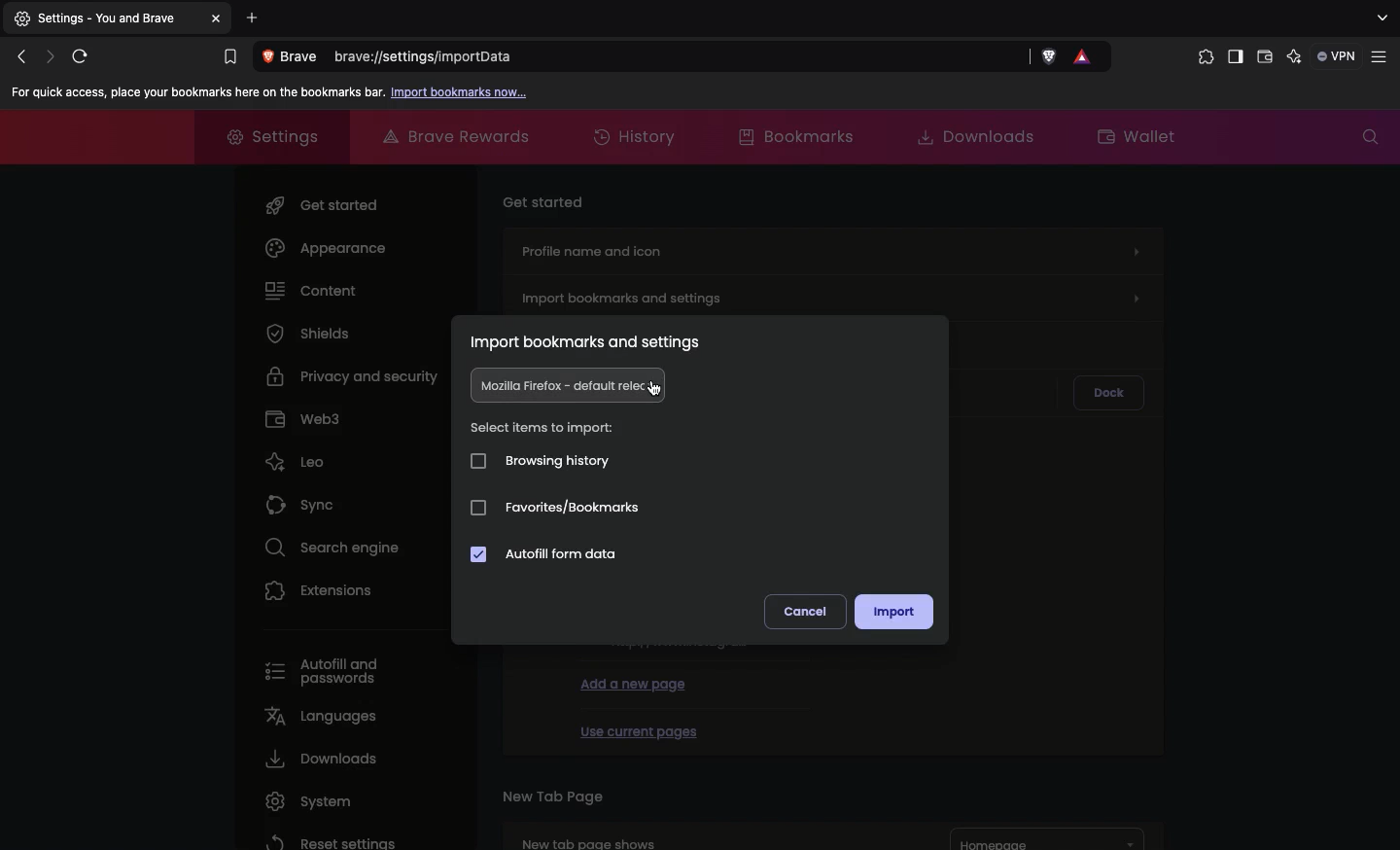 The image size is (1400, 850). Describe the element at coordinates (295, 457) in the screenshot. I see `Leo` at that location.